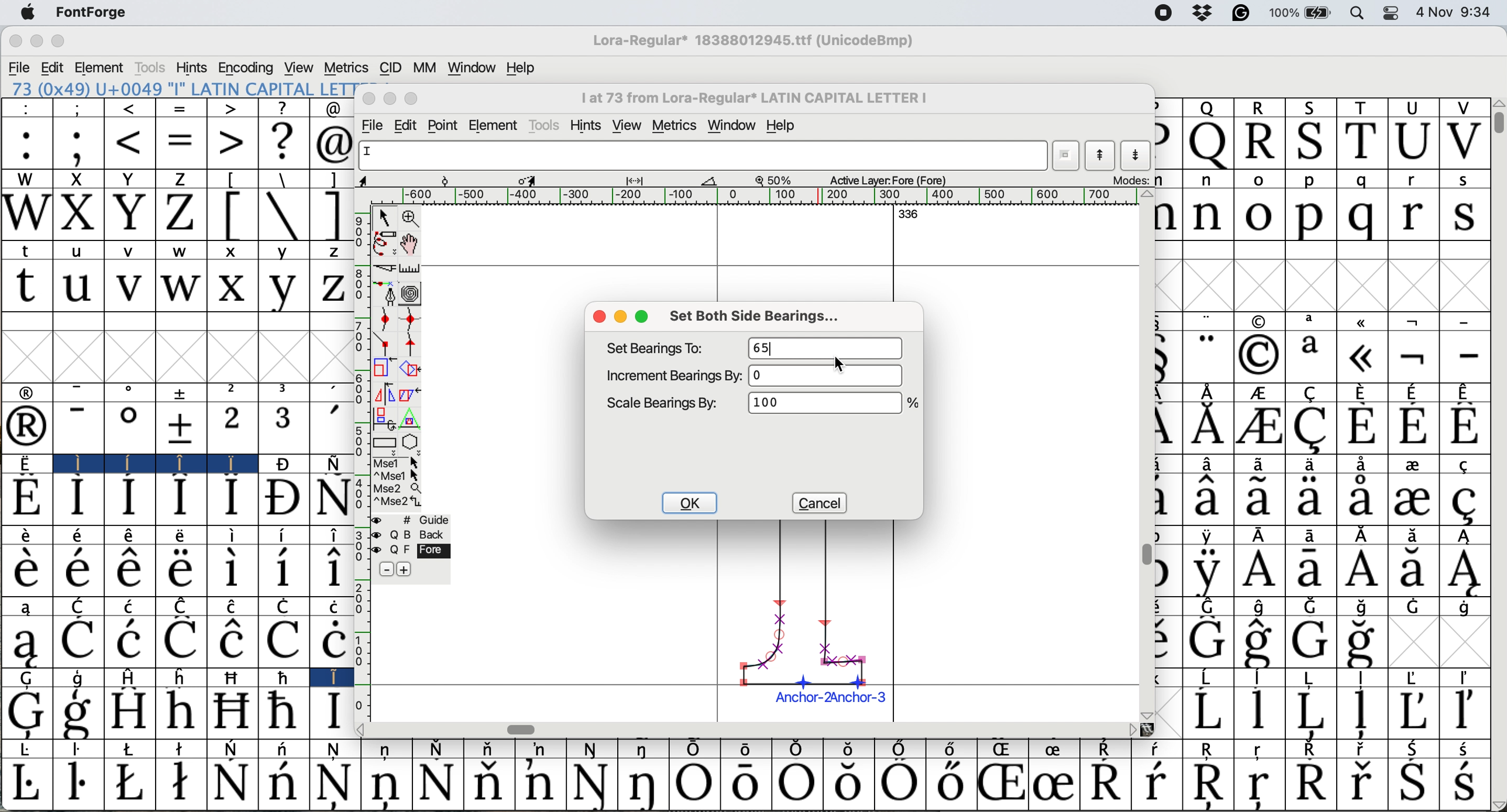 The image size is (1507, 812). Describe the element at coordinates (397, 476) in the screenshot. I see `^ Mse 1` at that location.